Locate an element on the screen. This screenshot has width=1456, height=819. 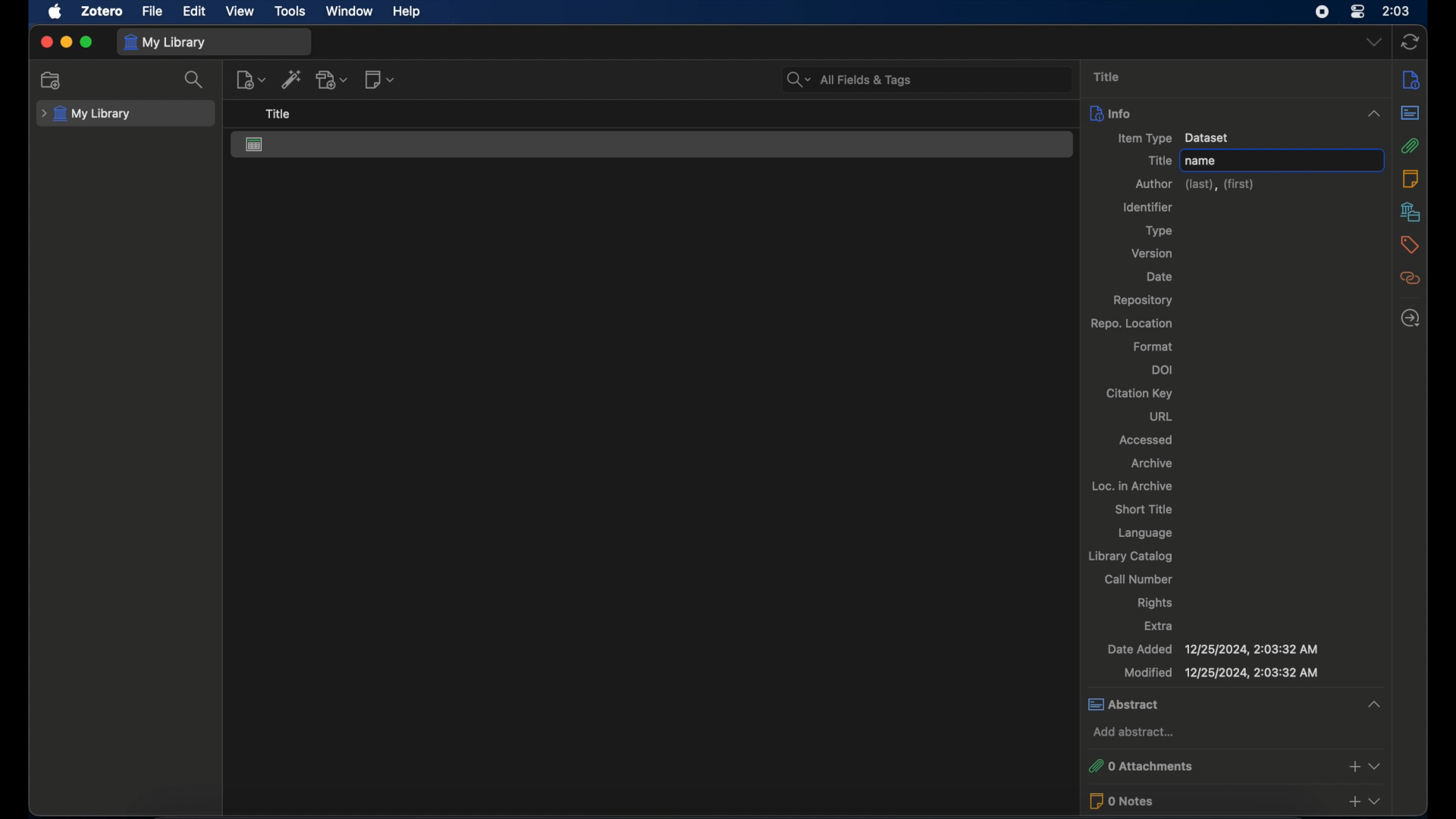
zotero is located at coordinates (102, 11).